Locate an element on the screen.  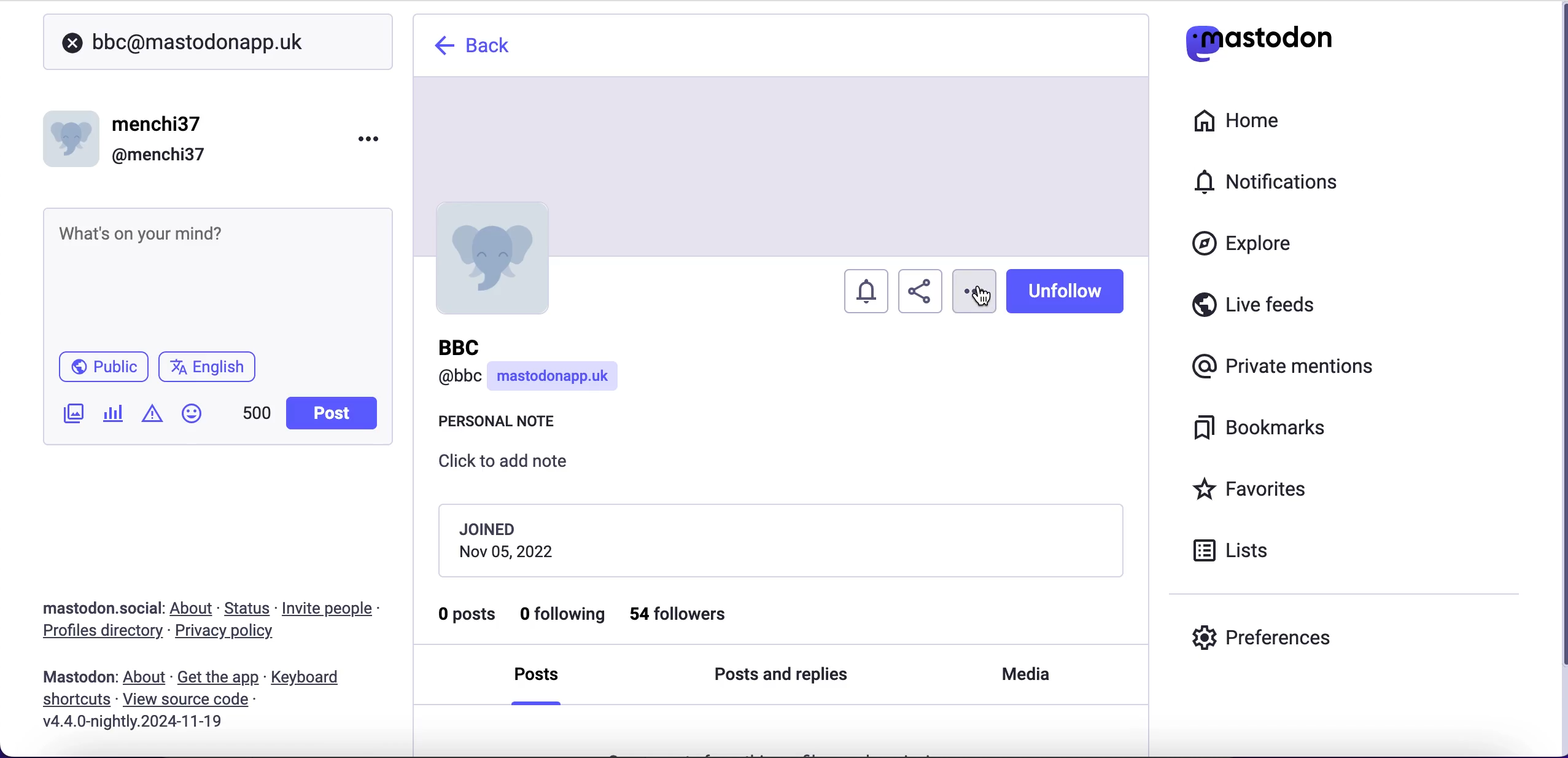
click to add note is located at coordinates (513, 466).